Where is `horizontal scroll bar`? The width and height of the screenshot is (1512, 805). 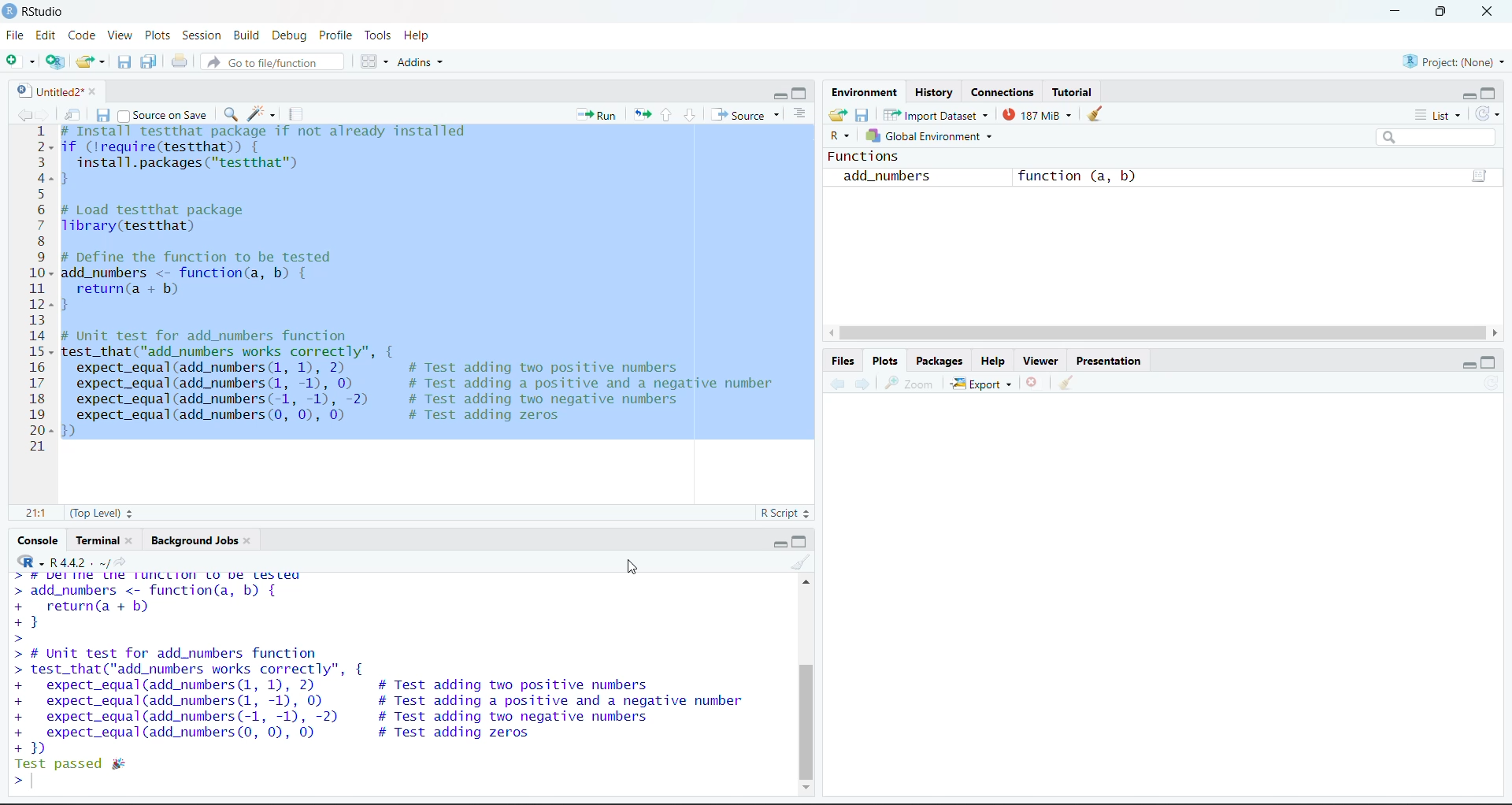
horizontal scroll bar is located at coordinates (1162, 333).